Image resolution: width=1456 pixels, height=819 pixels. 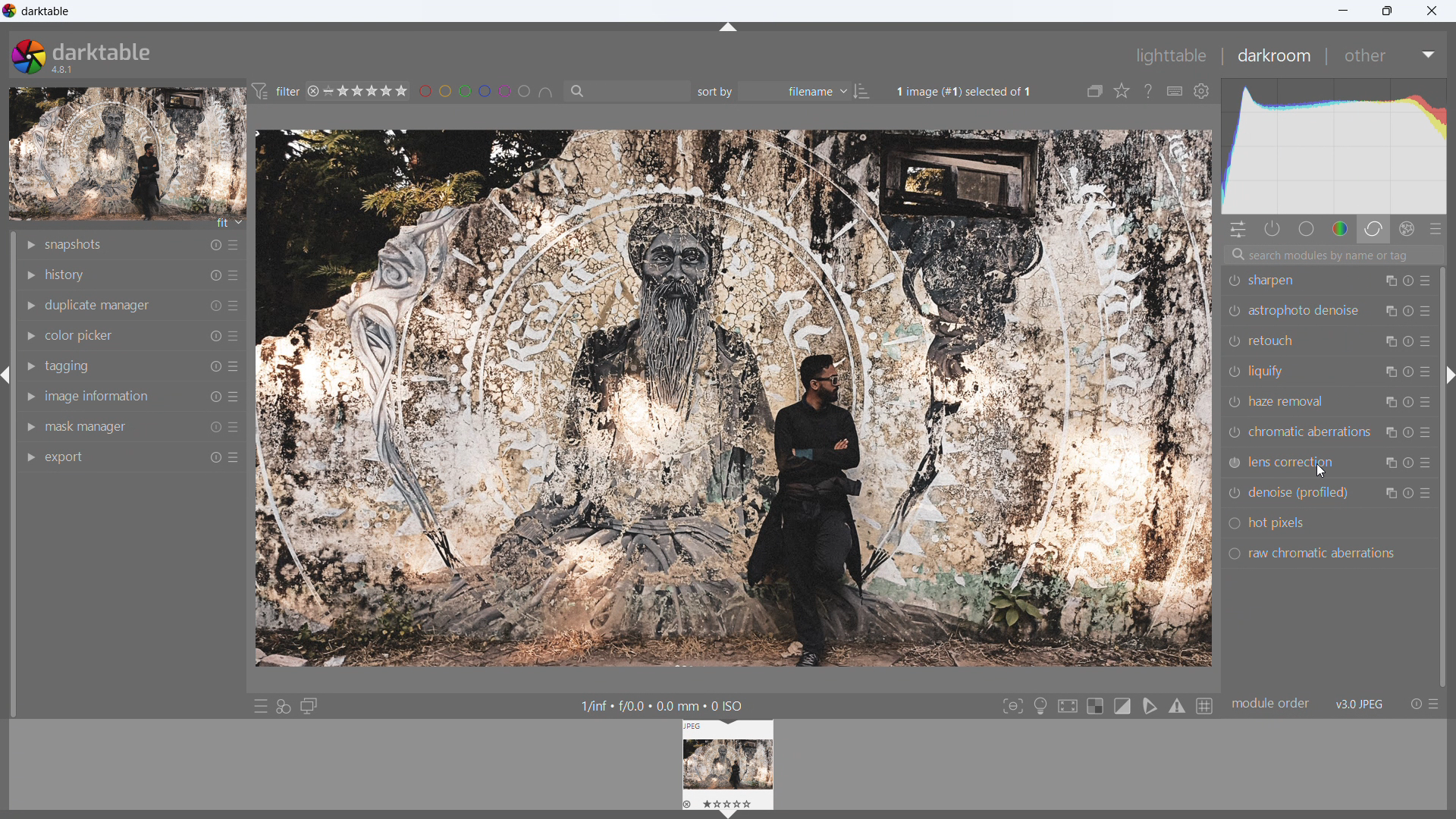 What do you see at coordinates (1386, 344) in the screenshot?
I see `multiple instance action` at bounding box center [1386, 344].